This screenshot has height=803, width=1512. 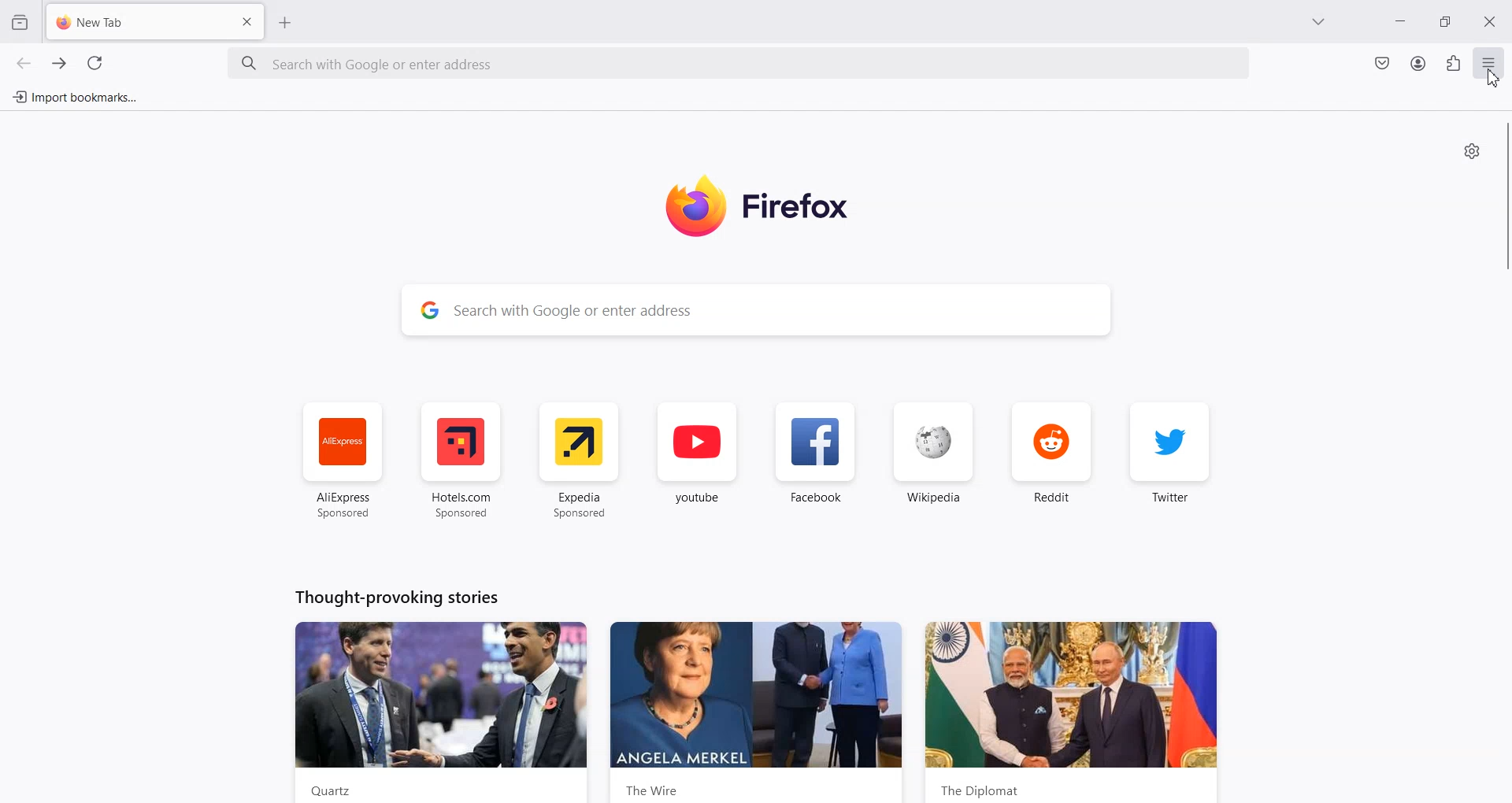 I want to click on Open Application Menu, so click(x=1490, y=59).